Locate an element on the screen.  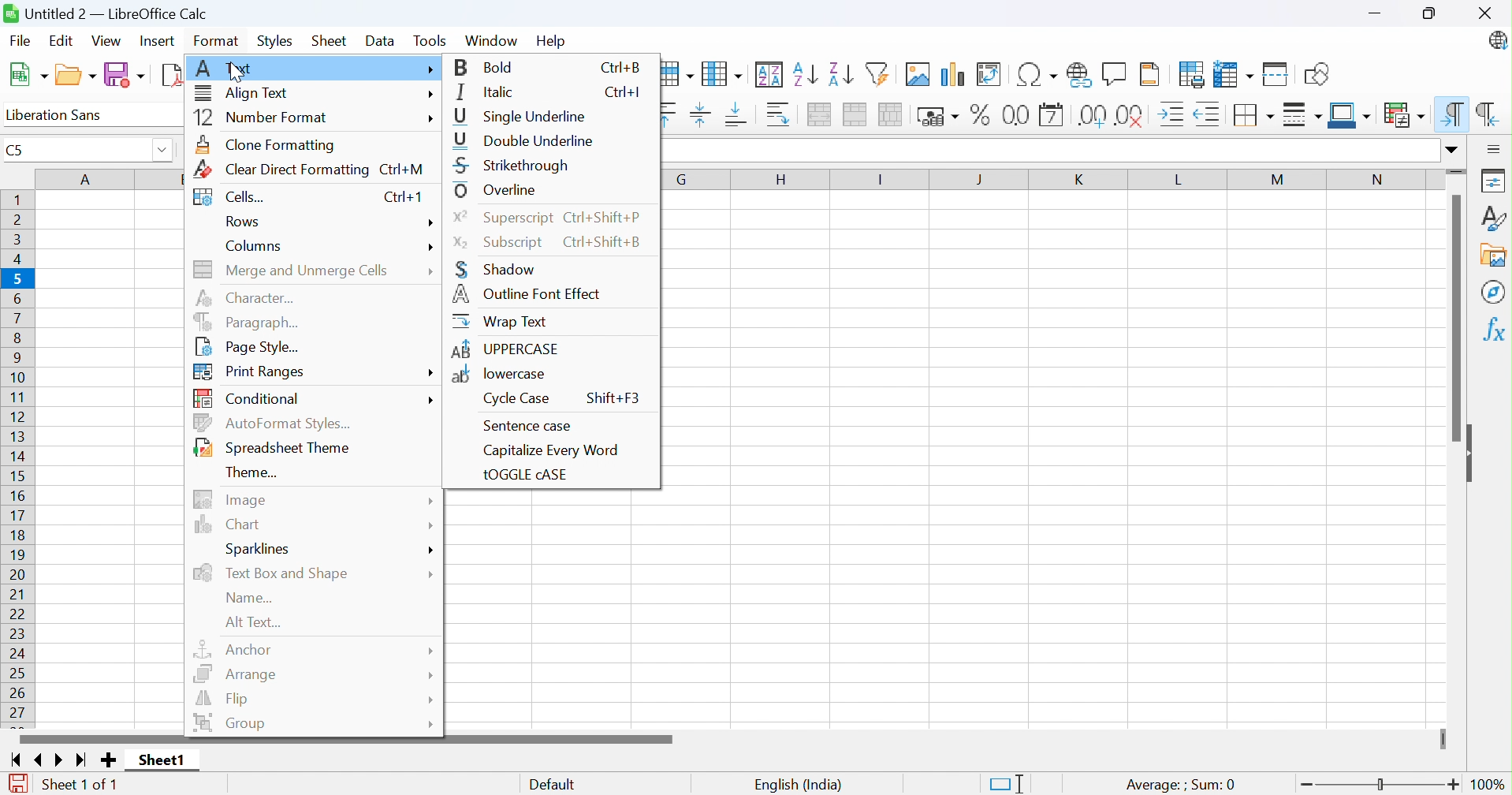
cursor is located at coordinates (240, 73).